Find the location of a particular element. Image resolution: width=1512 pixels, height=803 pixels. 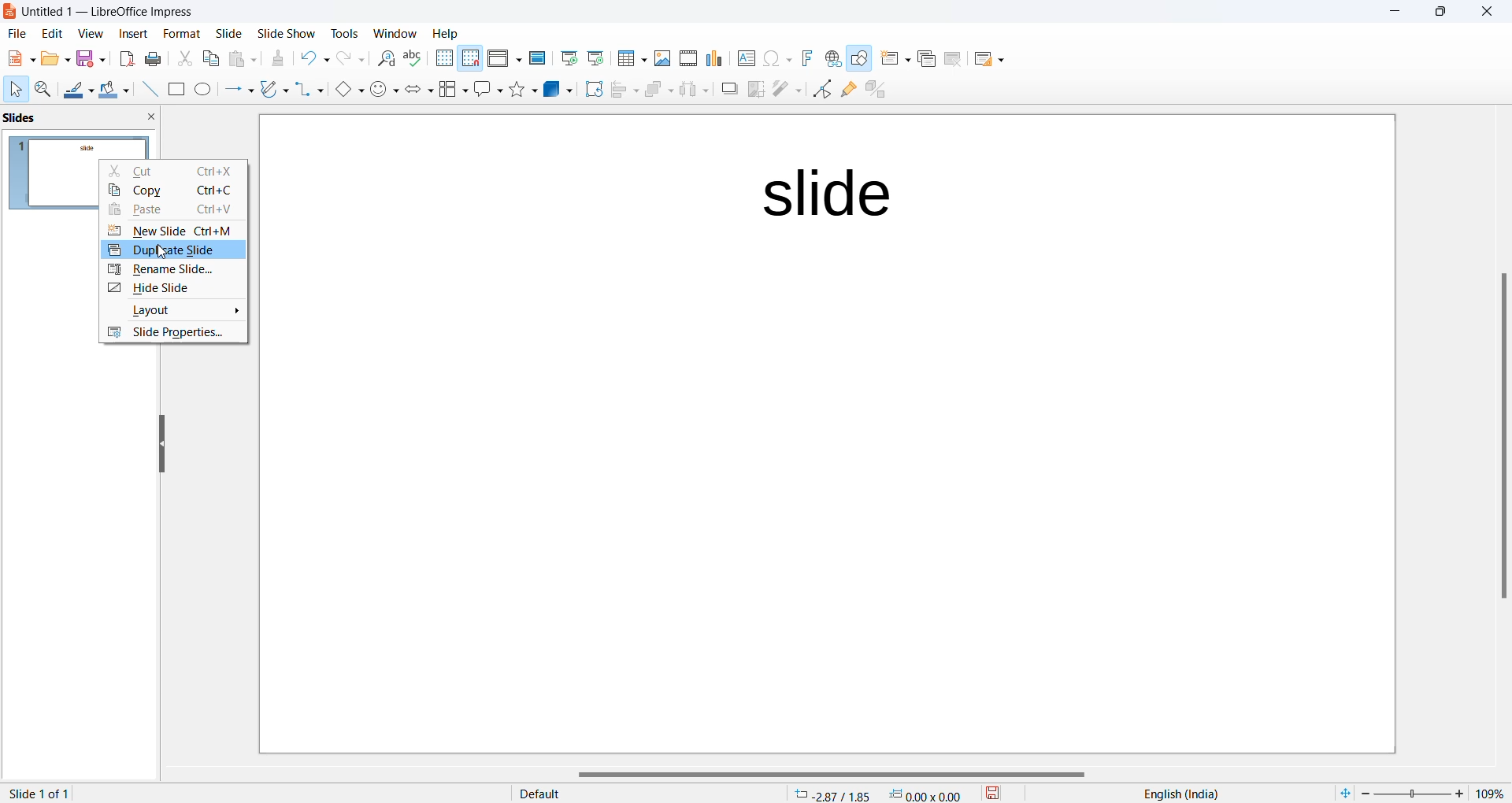

Snap to grid is located at coordinates (471, 58).